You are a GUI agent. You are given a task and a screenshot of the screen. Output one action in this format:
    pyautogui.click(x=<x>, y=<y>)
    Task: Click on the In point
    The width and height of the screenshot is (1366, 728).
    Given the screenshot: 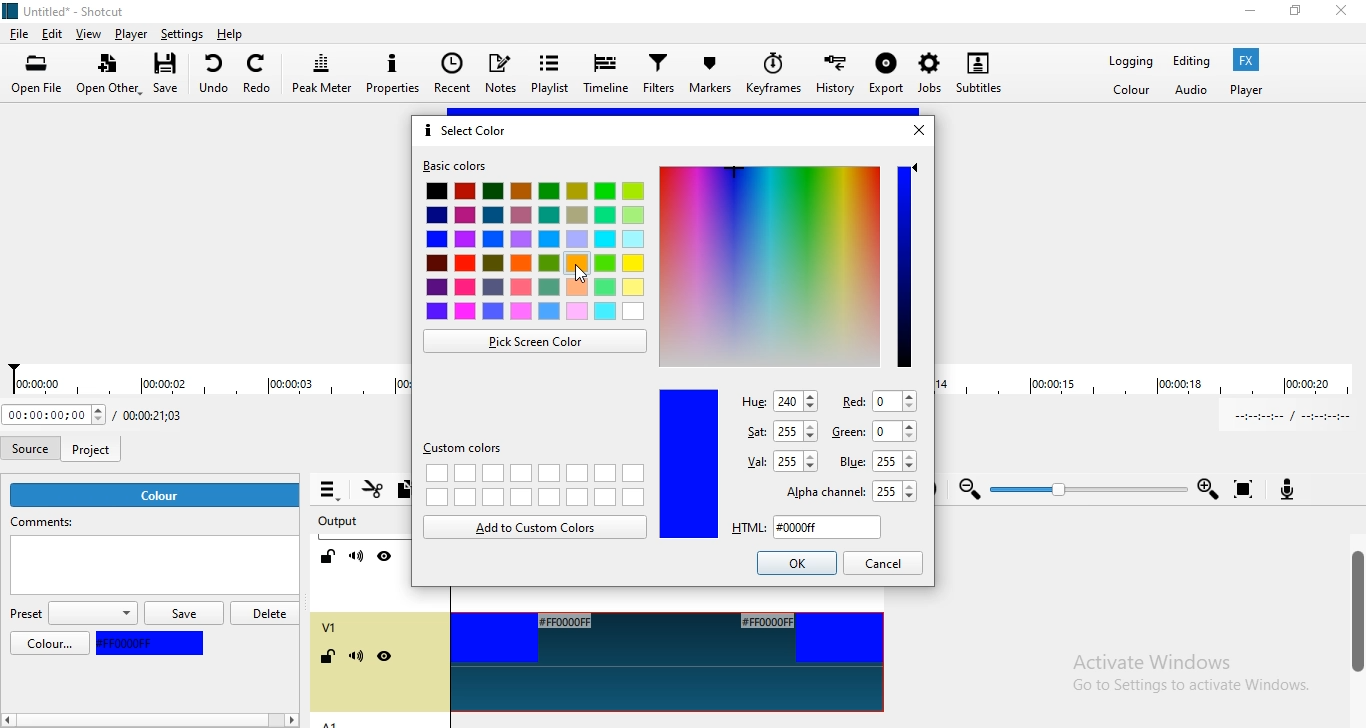 What is the action you would take?
    pyautogui.click(x=1287, y=416)
    